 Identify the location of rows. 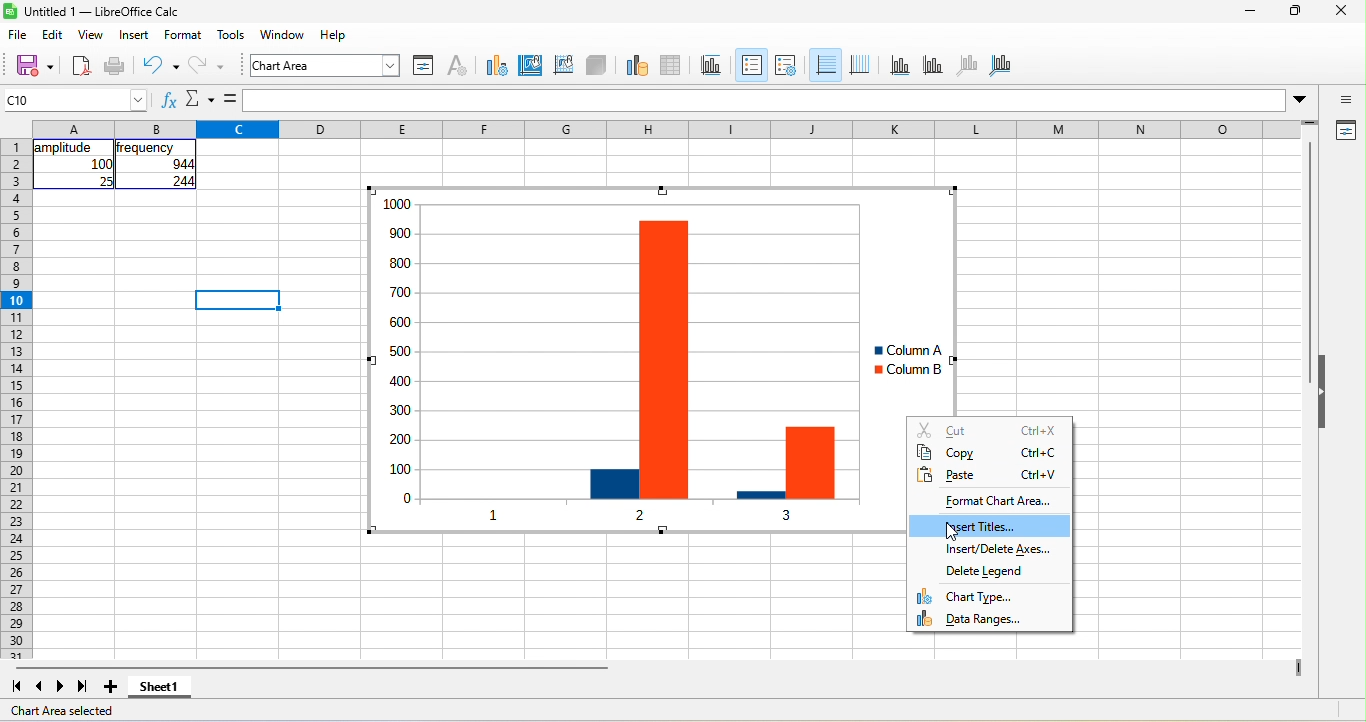
(16, 399).